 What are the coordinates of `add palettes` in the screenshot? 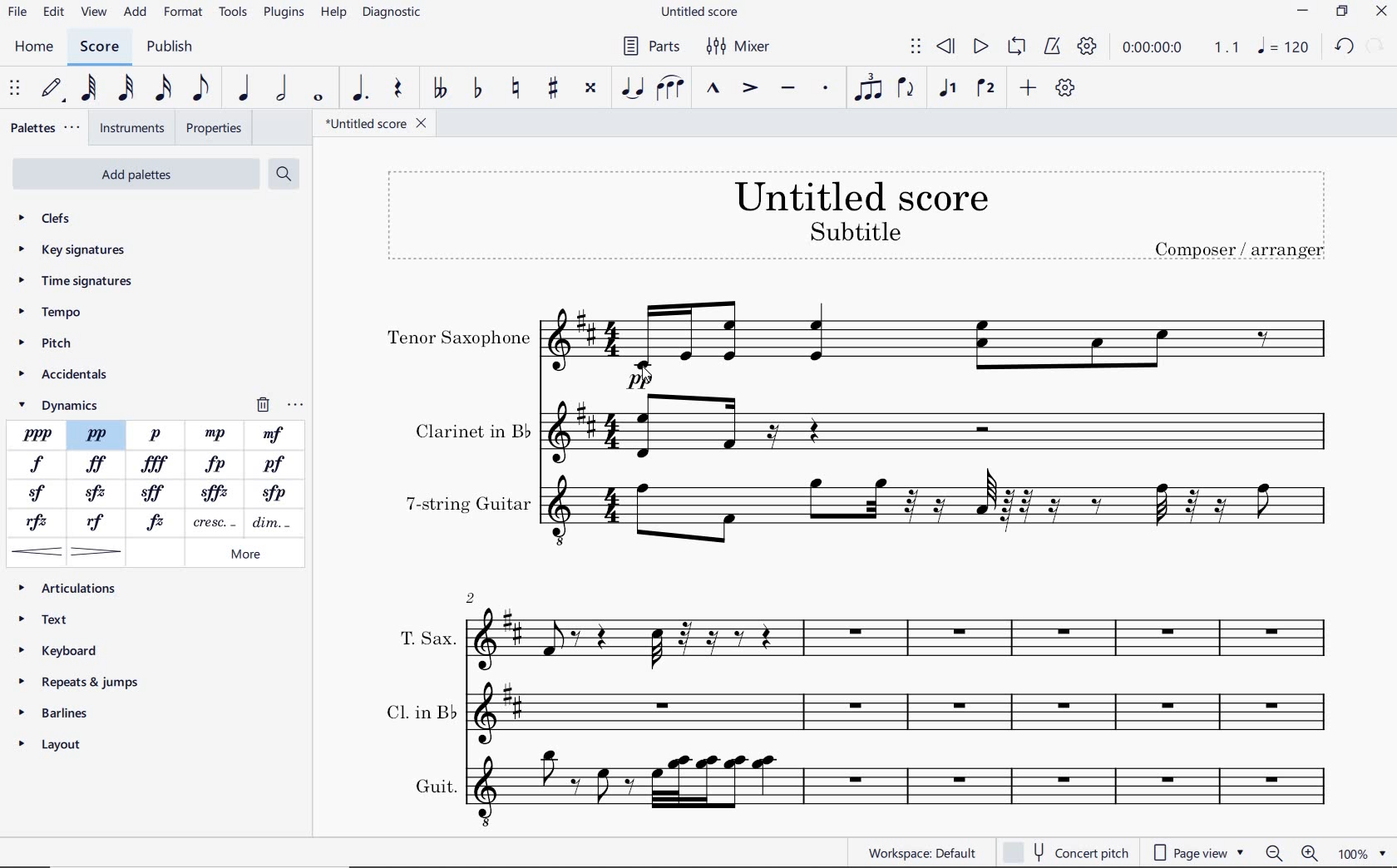 It's located at (134, 174).